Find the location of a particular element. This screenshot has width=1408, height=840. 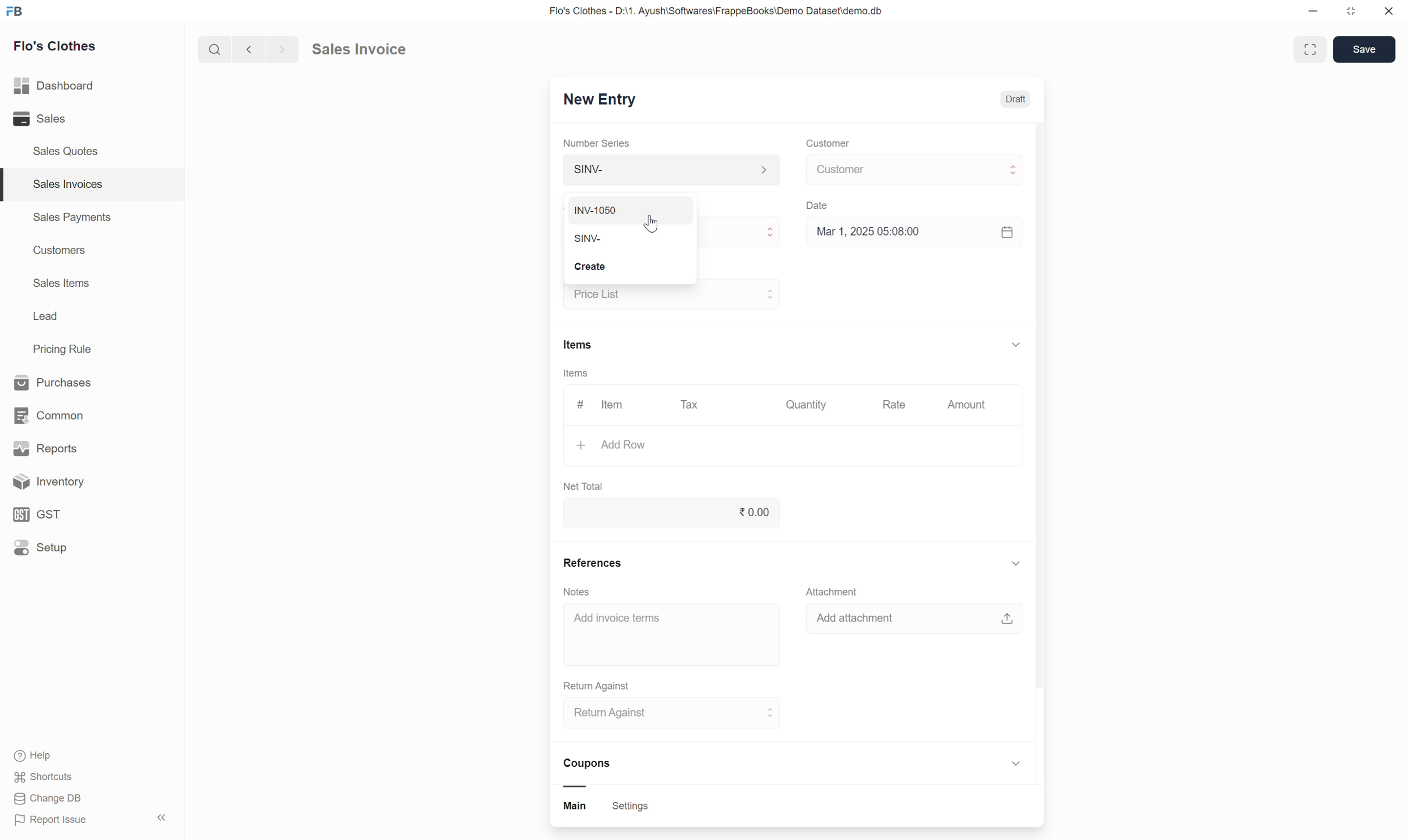

New Entry is located at coordinates (609, 100).